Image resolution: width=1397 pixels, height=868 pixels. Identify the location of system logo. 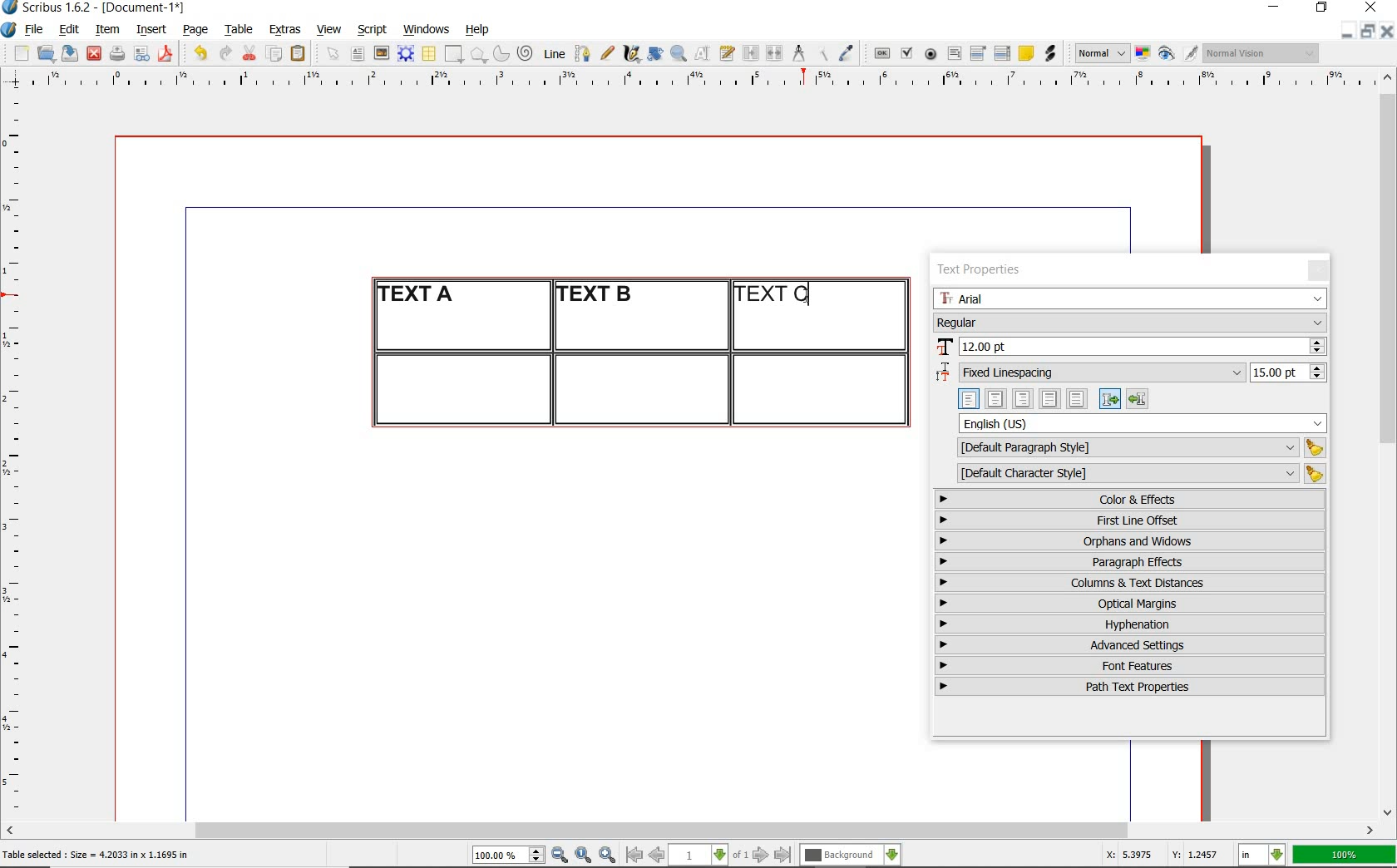
(10, 30).